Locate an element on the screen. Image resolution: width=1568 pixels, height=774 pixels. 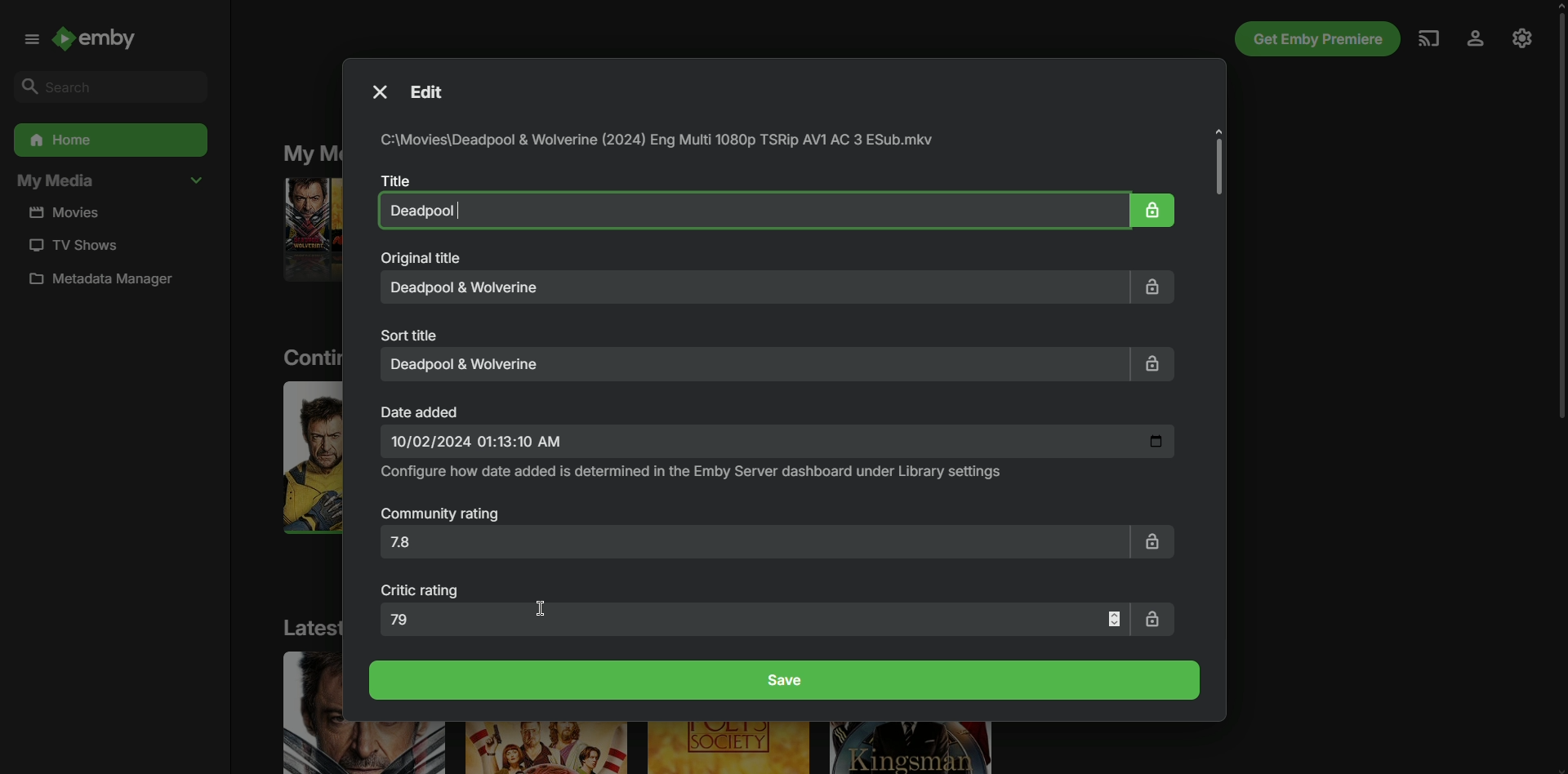
Cast is located at coordinates (1427, 38).